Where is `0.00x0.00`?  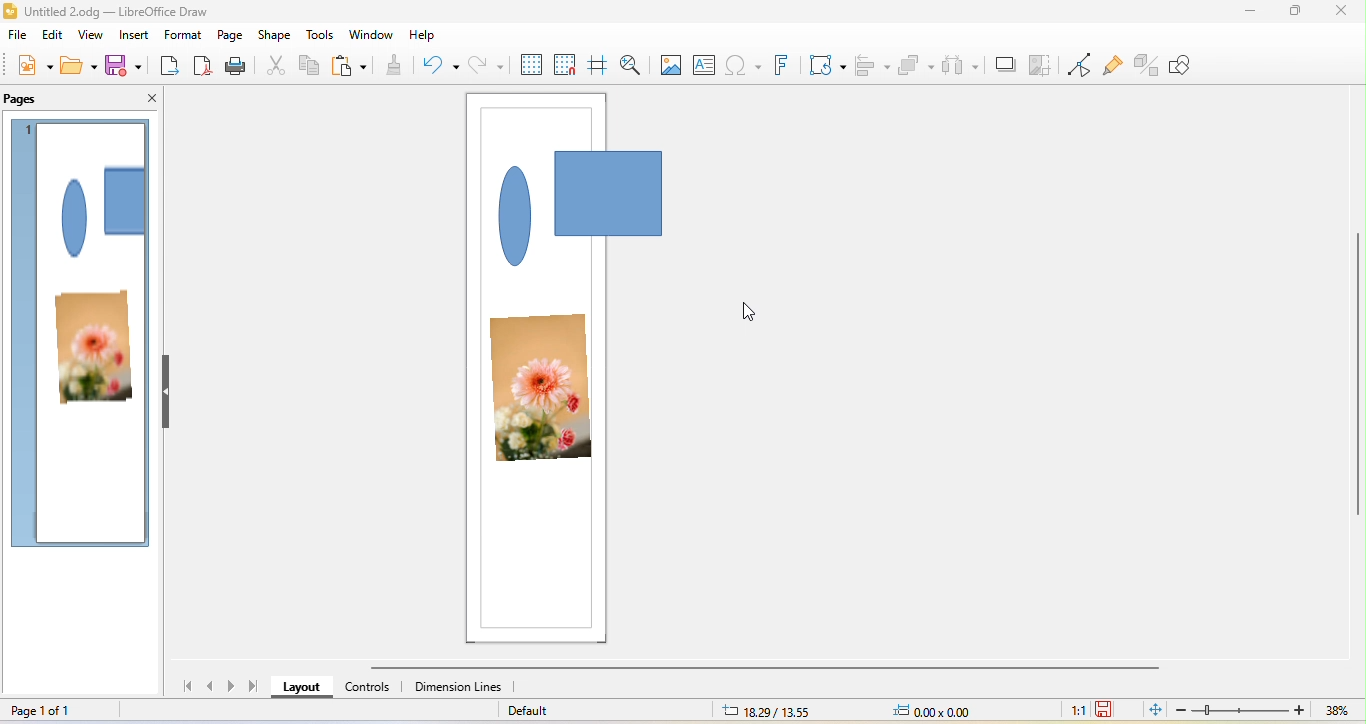
0.00x0.00 is located at coordinates (946, 712).